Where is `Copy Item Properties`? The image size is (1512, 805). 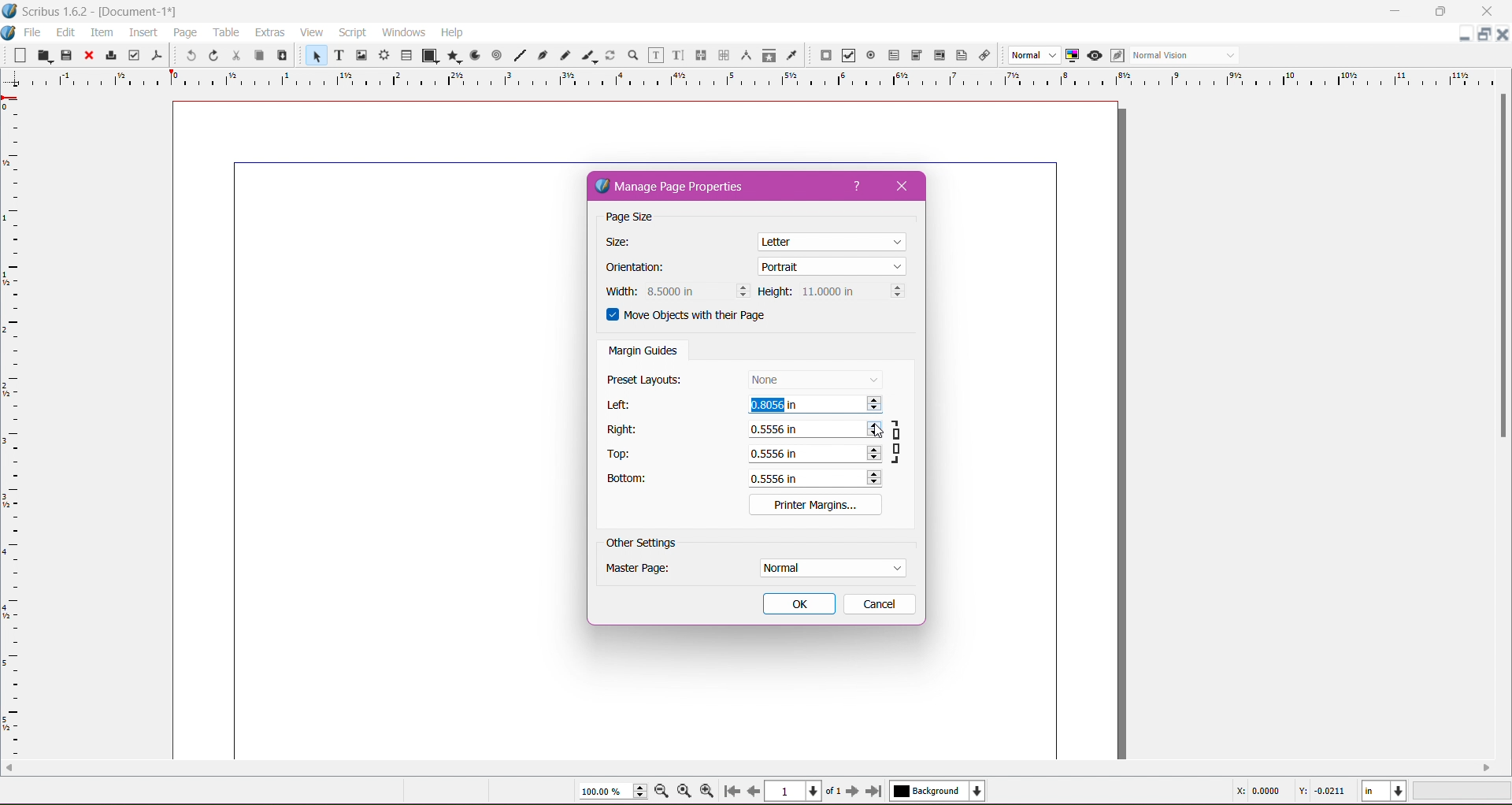
Copy Item Properties is located at coordinates (769, 55).